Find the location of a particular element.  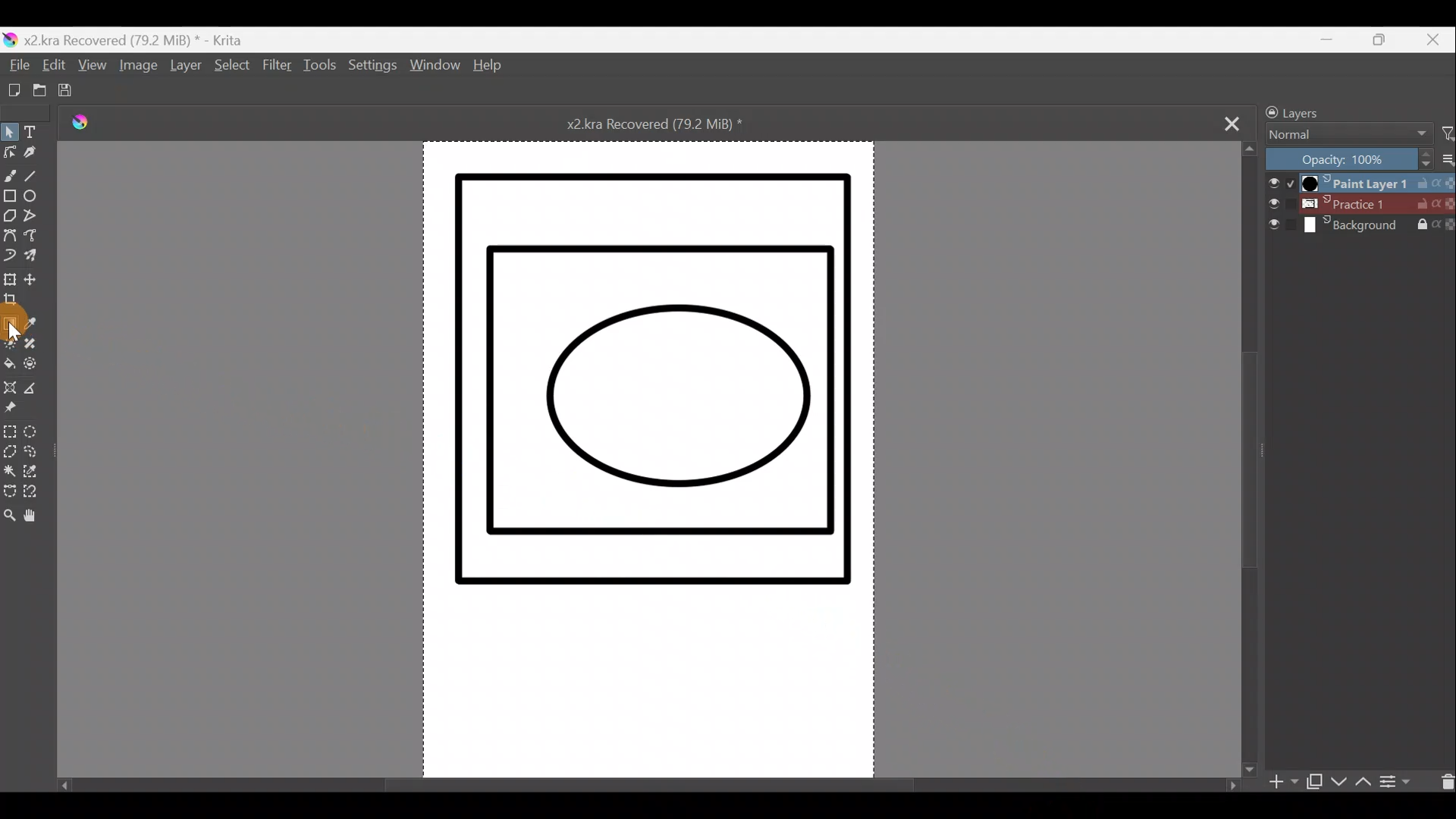

Polyline tool is located at coordinates (37, 218).